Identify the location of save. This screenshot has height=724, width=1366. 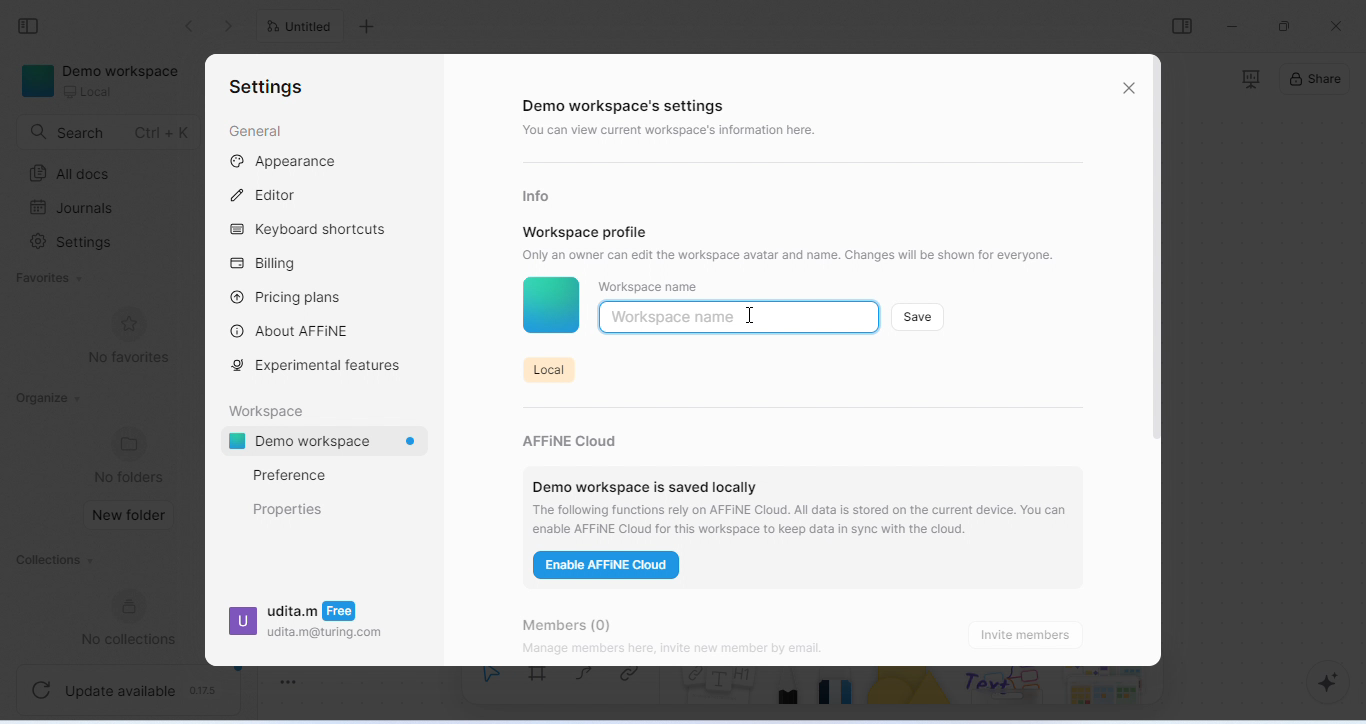
(919, 316).